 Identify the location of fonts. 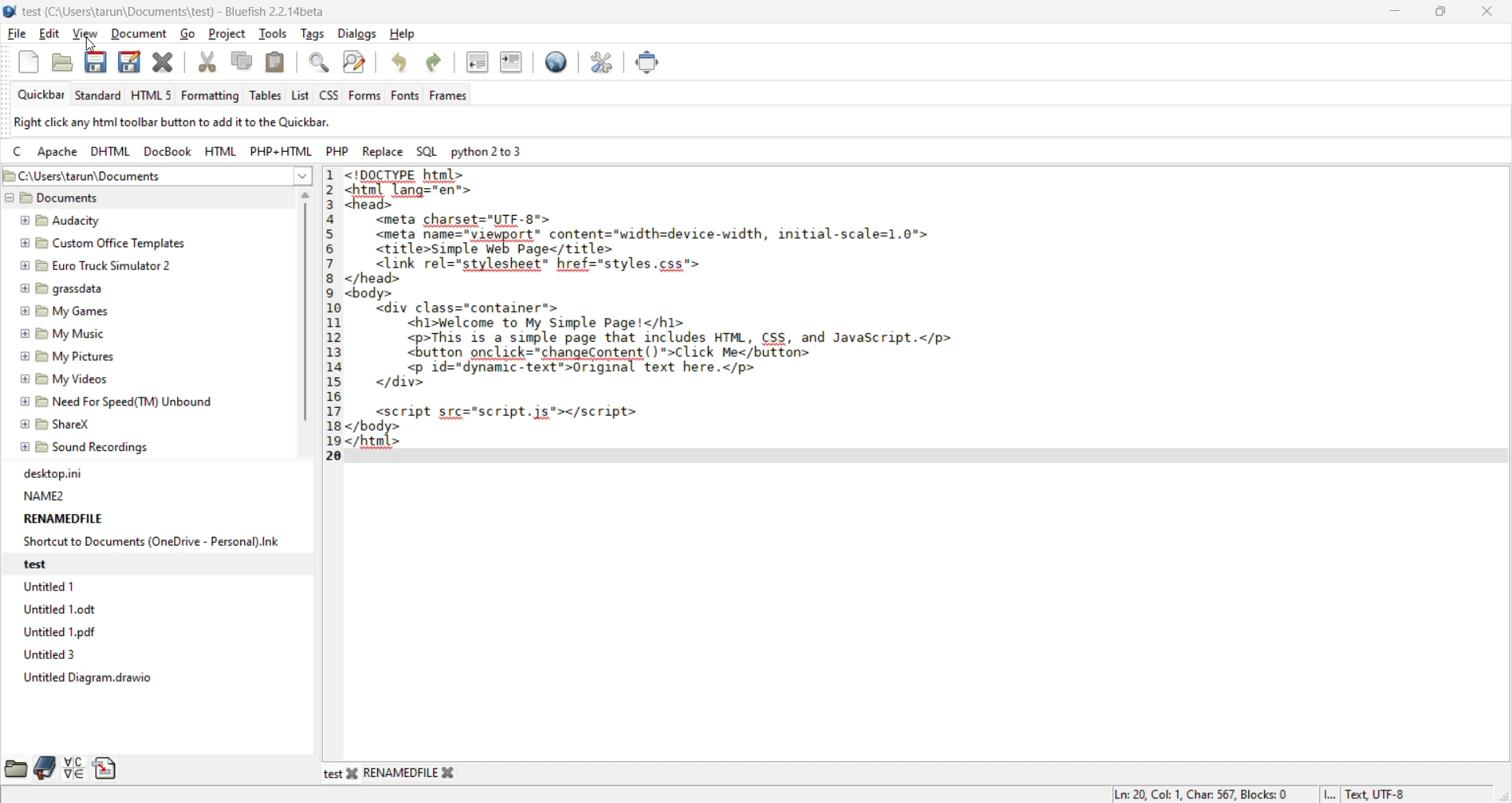
(409, 96).